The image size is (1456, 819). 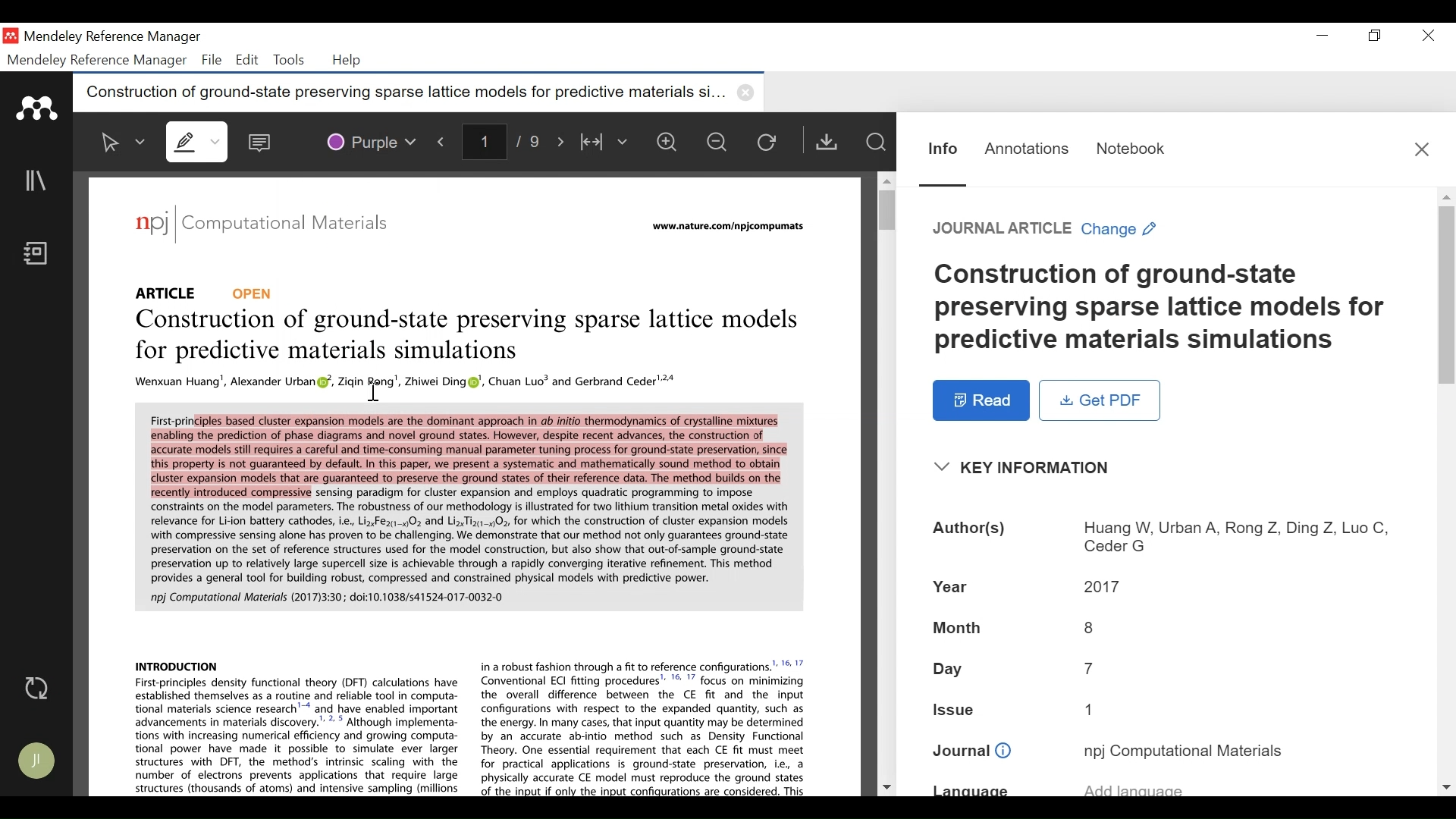 I want to click on Comment, so click(x=261, y=143).